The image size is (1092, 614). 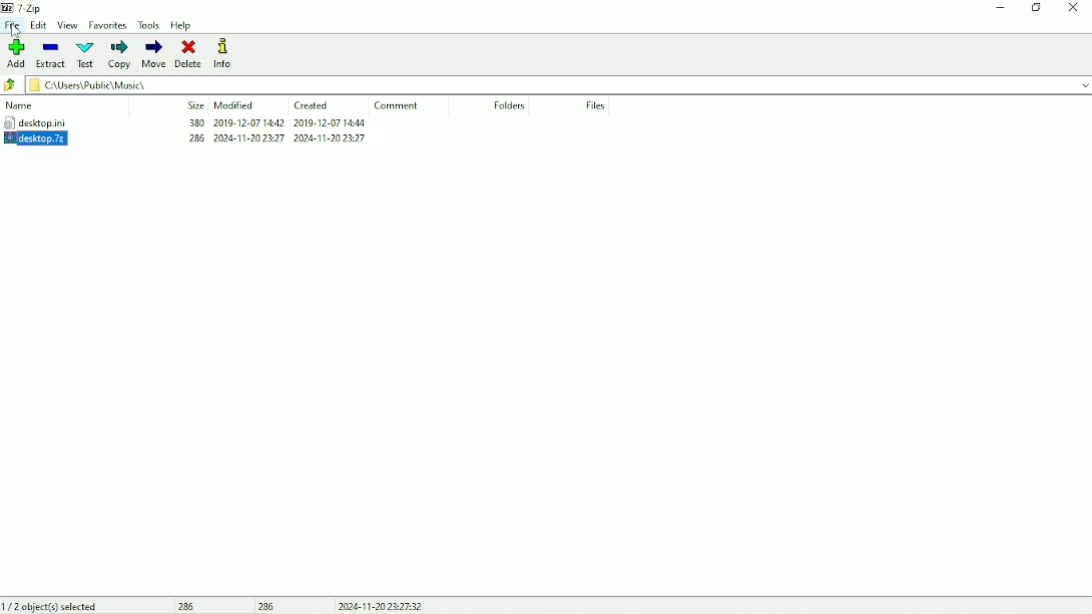 I want to click on Files, so click(x=593, y=105).